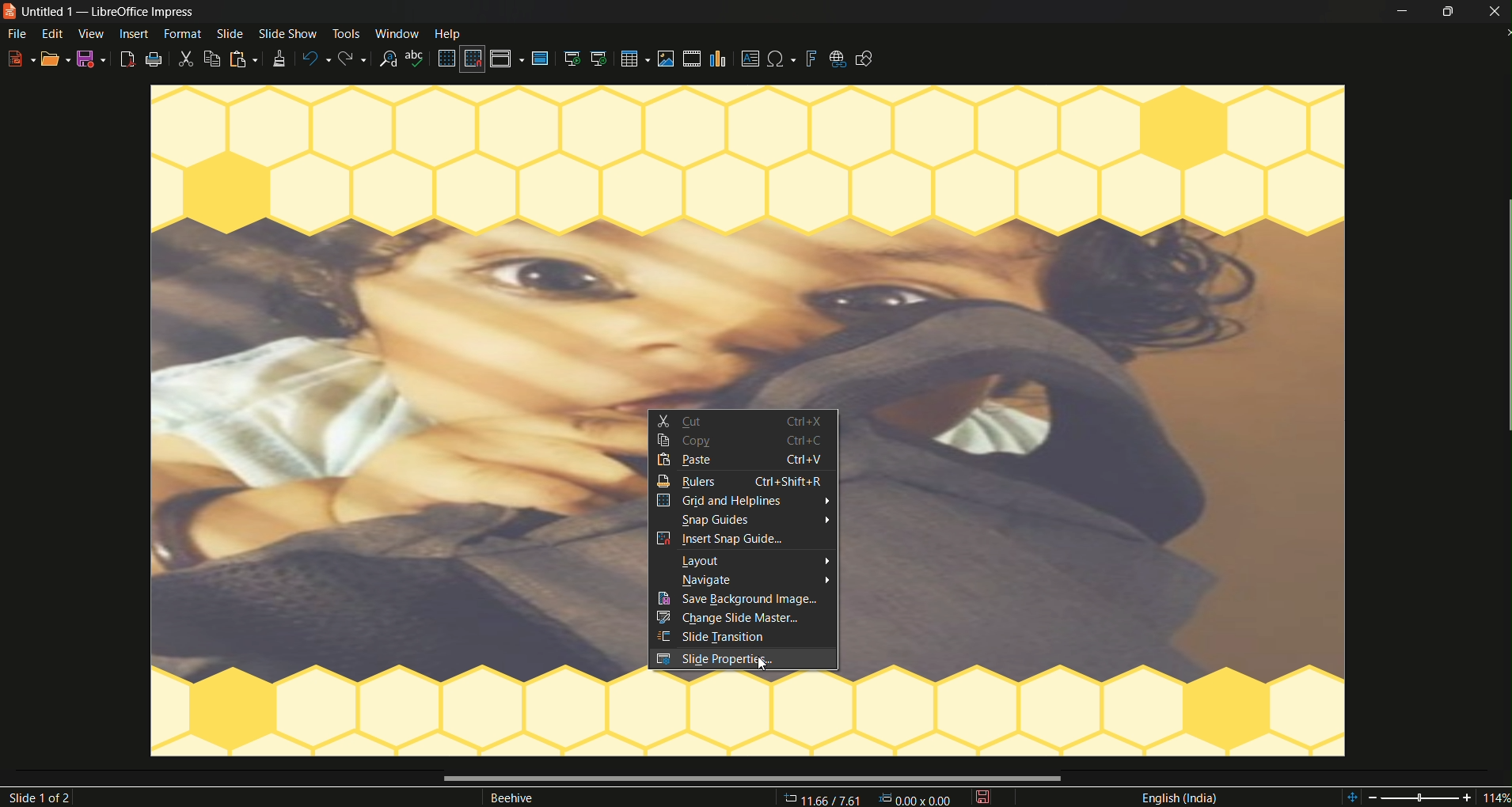 The image size is (1512, 807). What do you see at coordinates (750, 58) in the screenshot?
I see `insert textbox` at bounding box center [750, 58].